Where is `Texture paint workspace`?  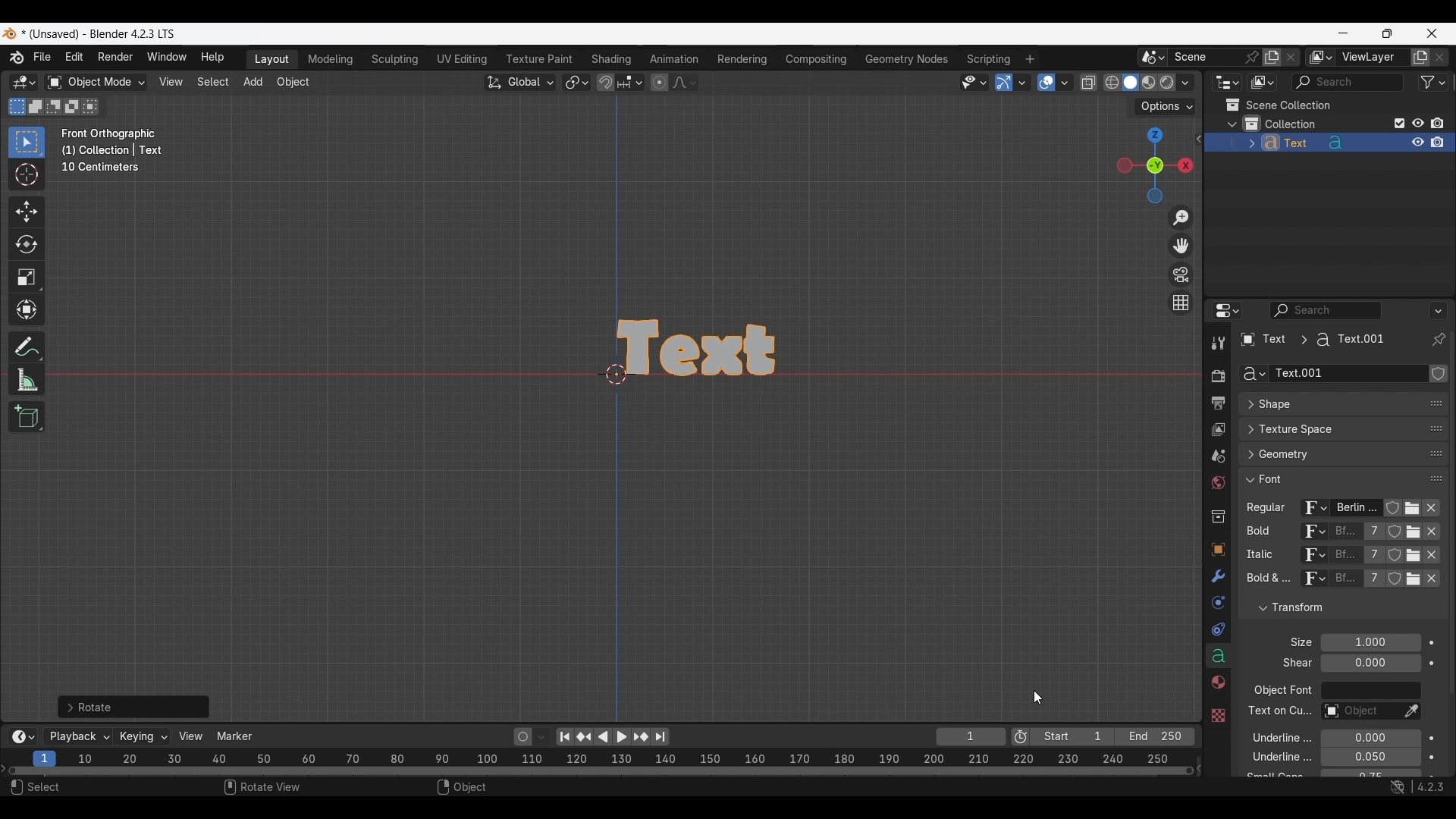 Texture paint workspace is located at coordinates (541, 59).